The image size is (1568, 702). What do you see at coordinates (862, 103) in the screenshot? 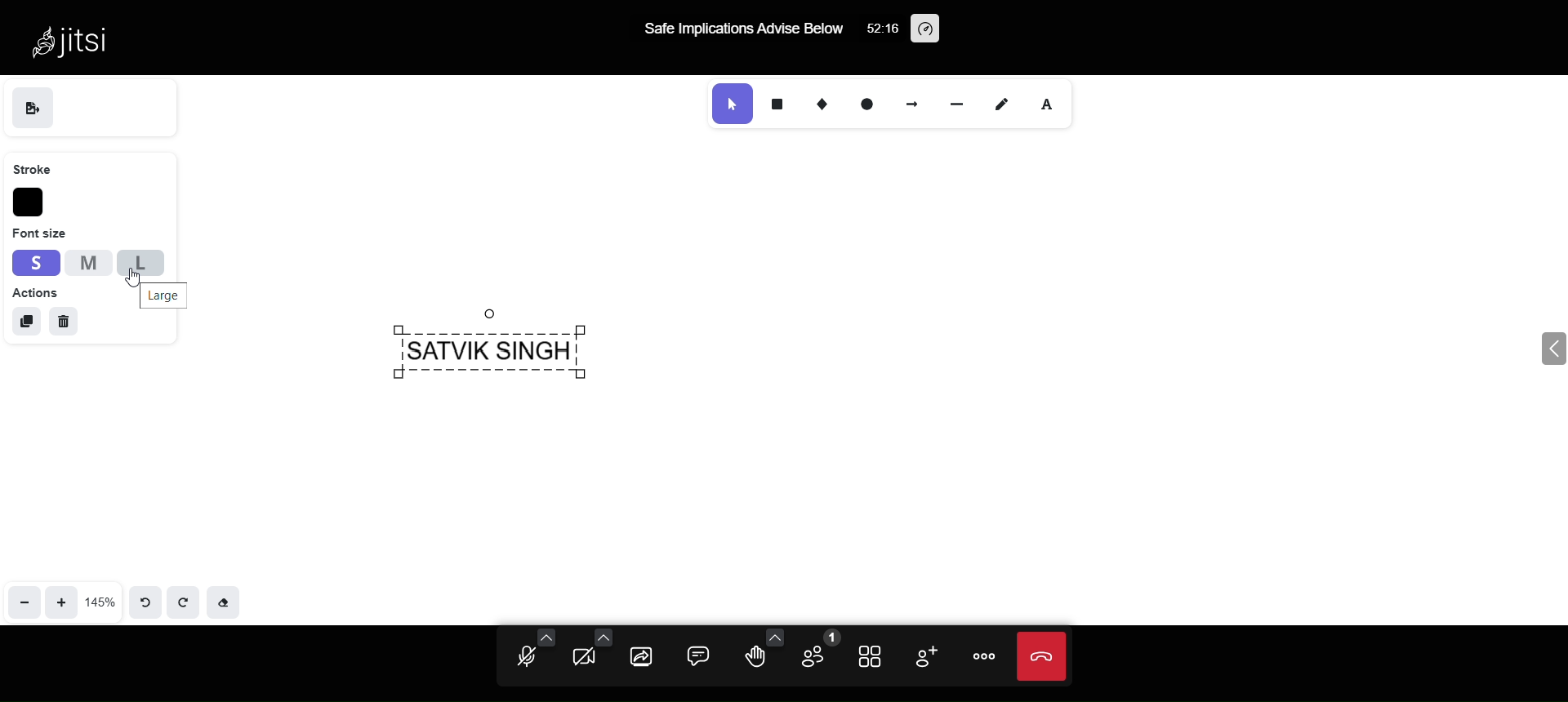
I see `ellipse` at bounding box center [862, 103].